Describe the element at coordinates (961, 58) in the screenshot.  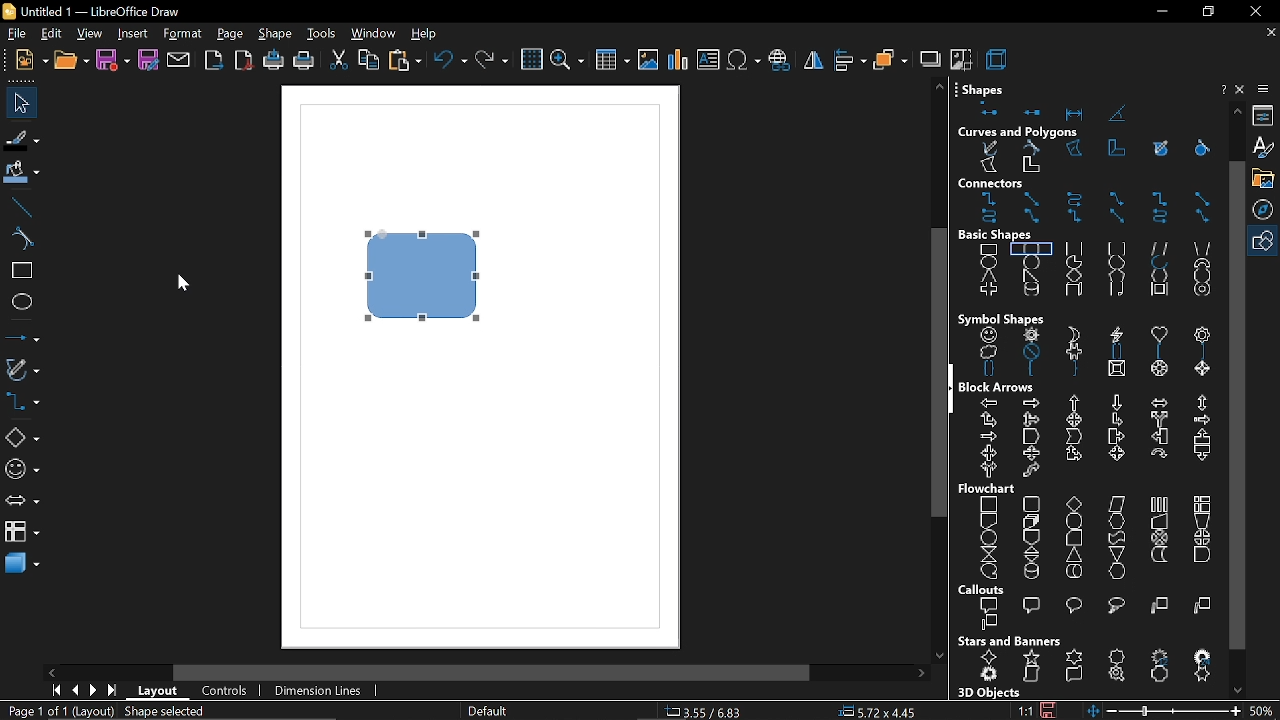
I see `crop` at that location.